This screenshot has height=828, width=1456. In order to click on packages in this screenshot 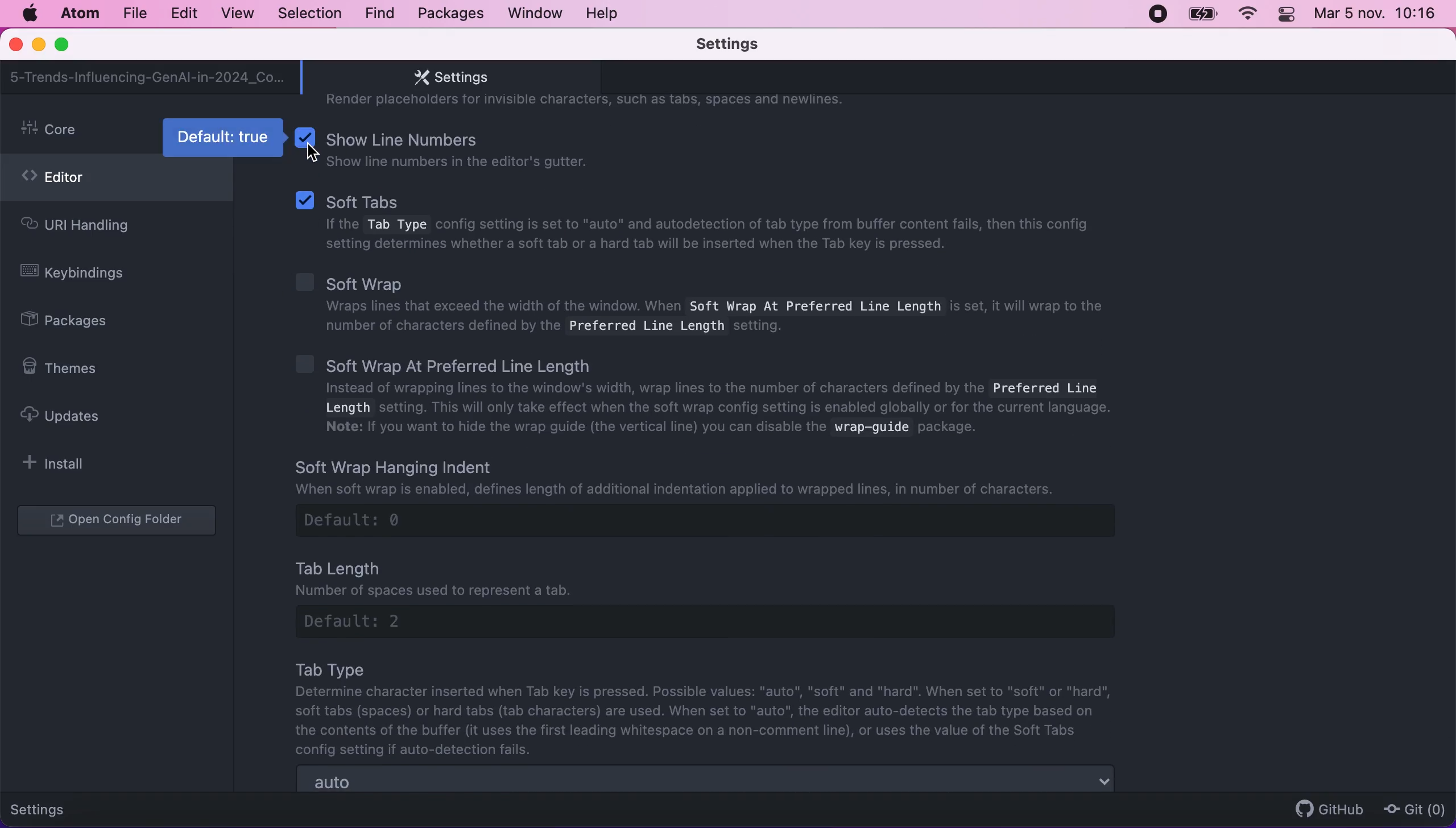, I will do `click(449, 14)`.